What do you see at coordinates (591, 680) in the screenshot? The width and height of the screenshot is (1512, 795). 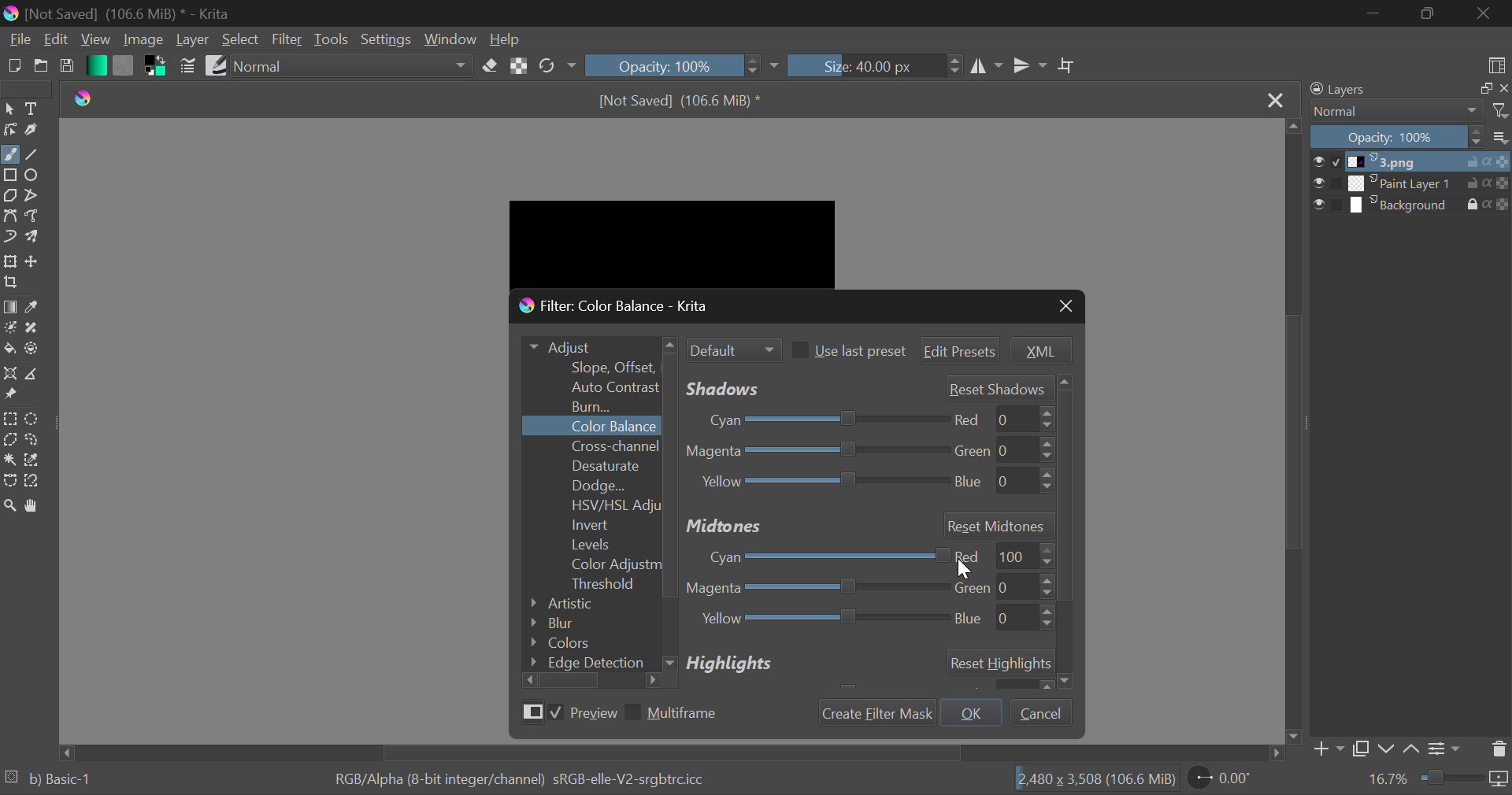 I see `Scroll Bar` at bounding box center [591, 680].